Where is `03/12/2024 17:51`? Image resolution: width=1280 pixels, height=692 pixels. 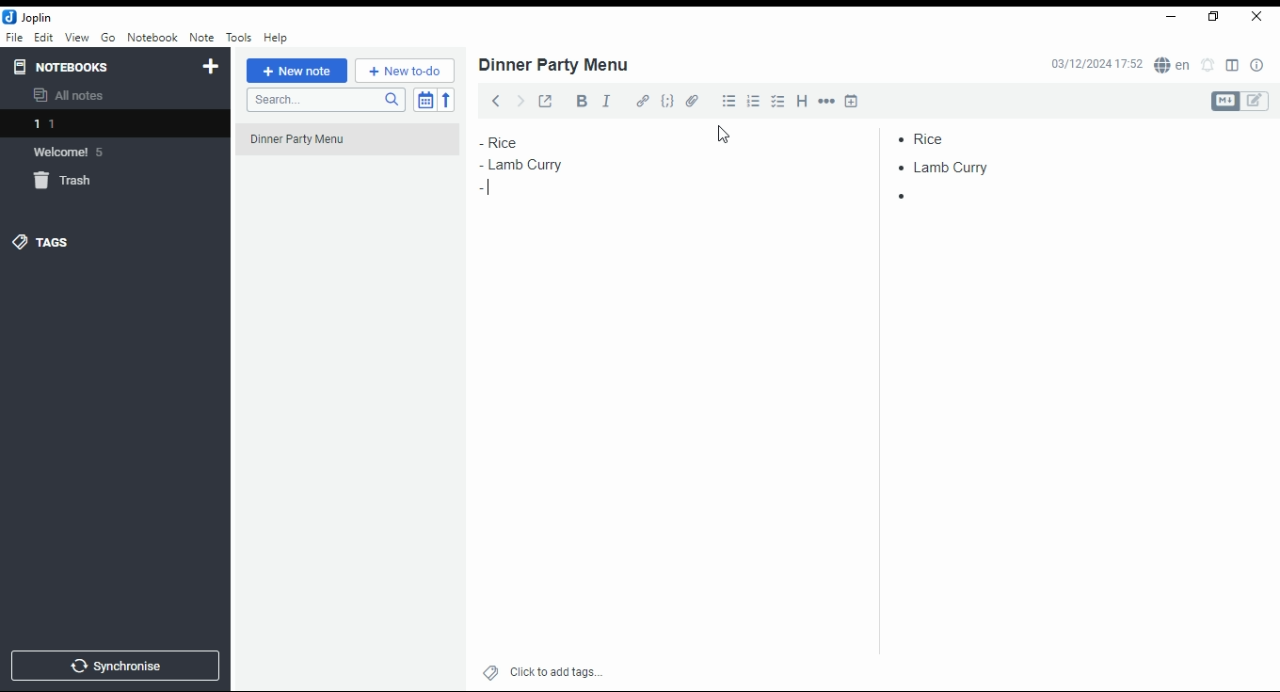
03/12/2024 17:51 is located at coordinates (1094, 65).